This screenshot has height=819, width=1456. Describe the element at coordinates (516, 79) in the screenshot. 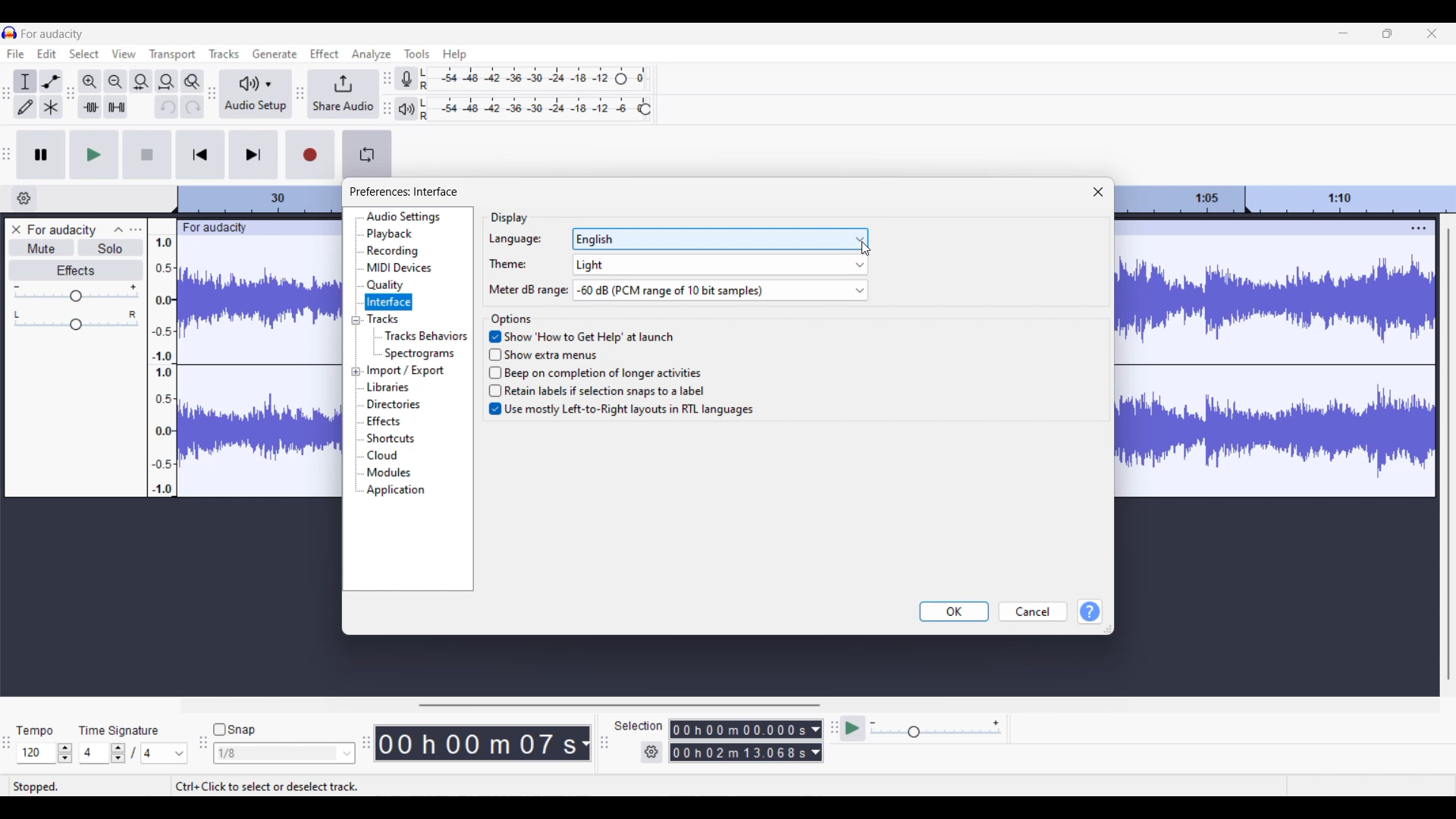

I see `Recording level` at that location.